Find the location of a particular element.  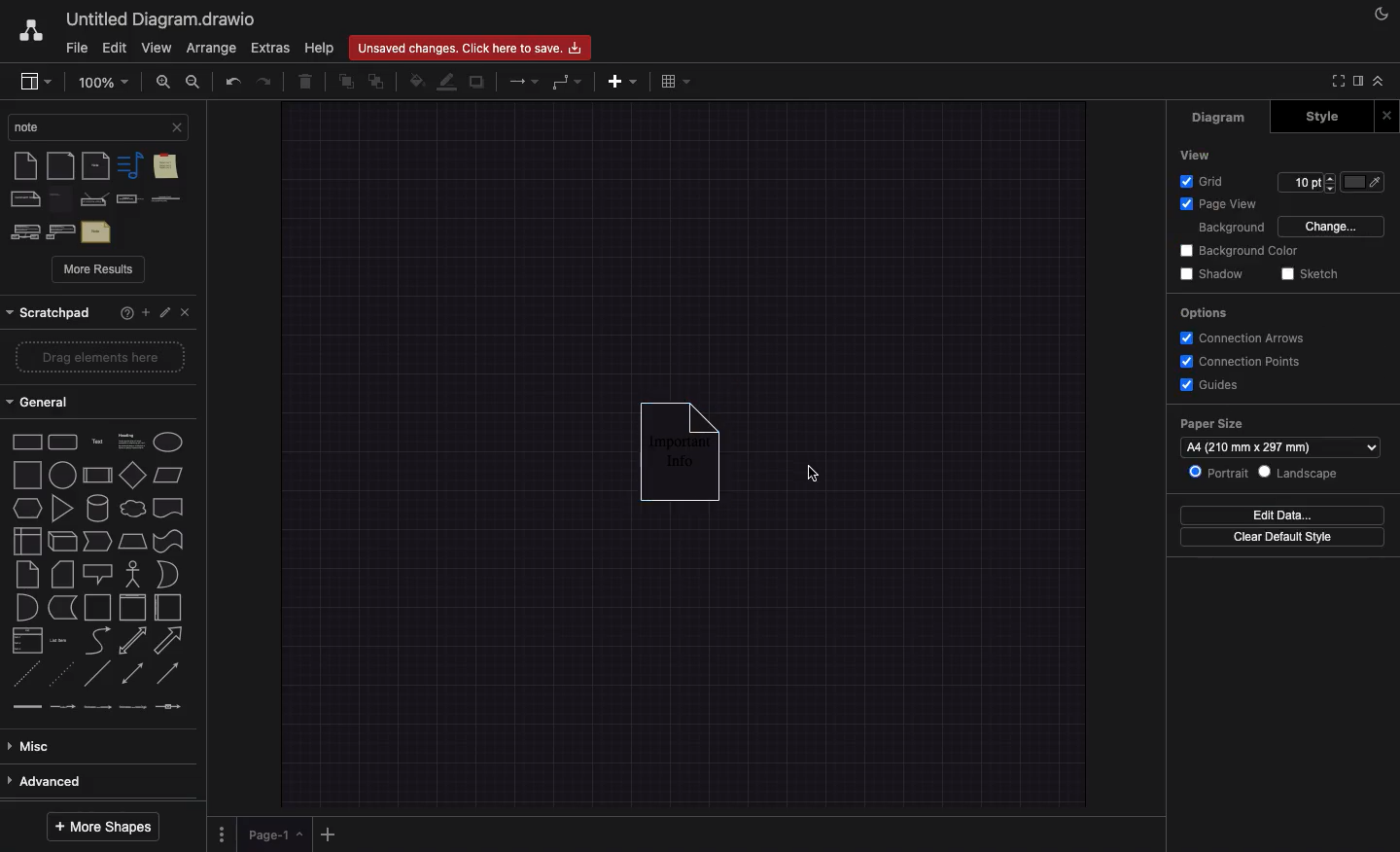

Undo is located at coordinates (233, 80).